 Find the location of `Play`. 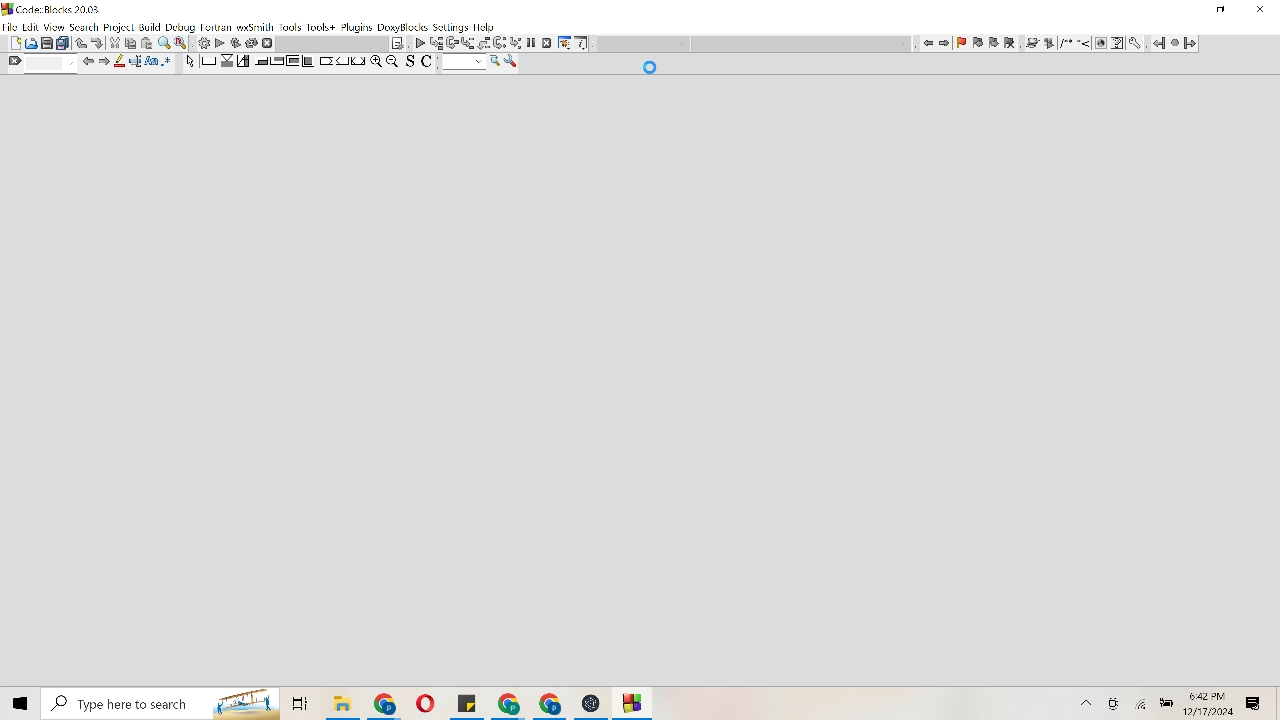

Play is located at coordinates (220, 43).